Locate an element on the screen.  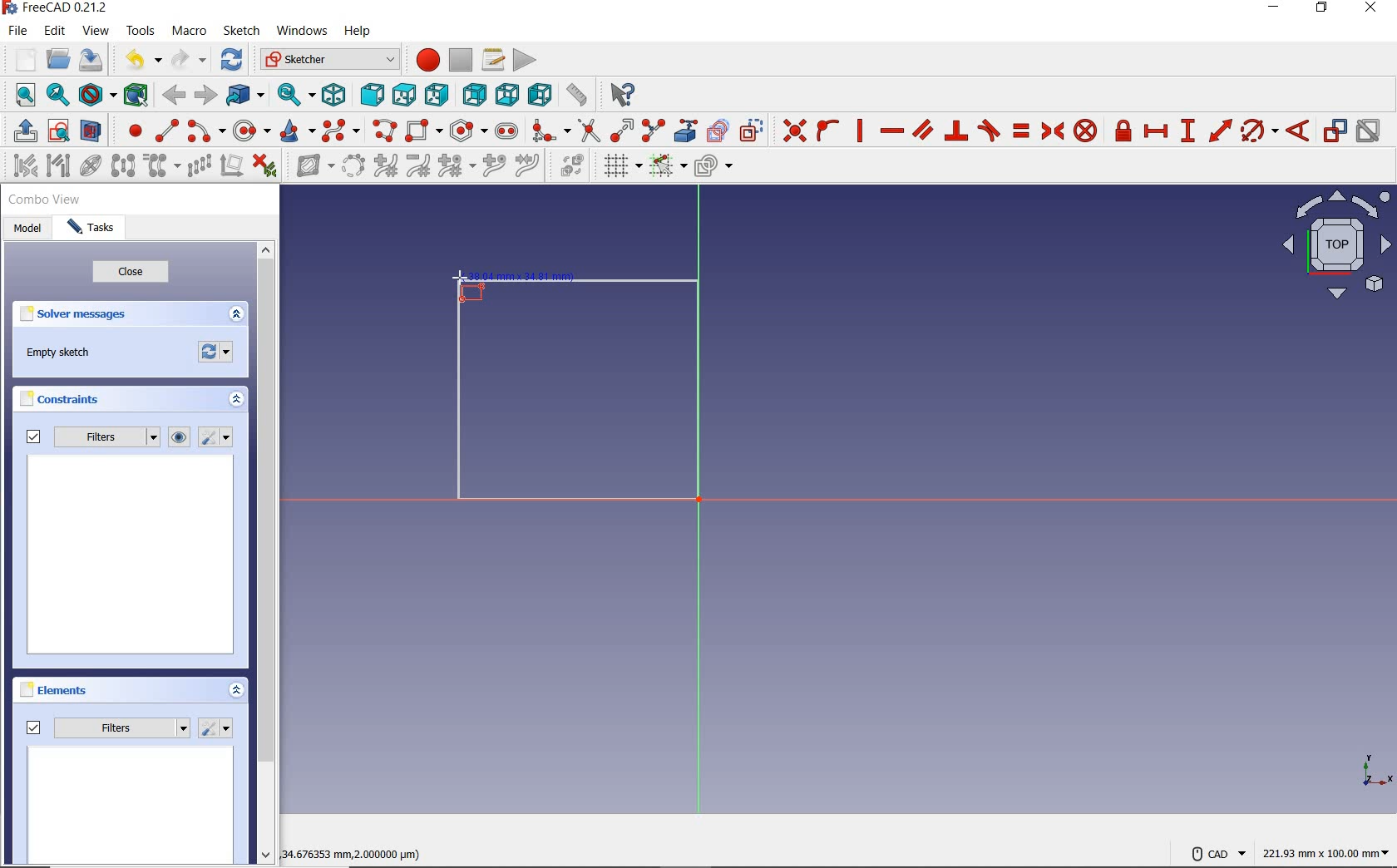
configure rendering order is located at coordinates (713, 165).